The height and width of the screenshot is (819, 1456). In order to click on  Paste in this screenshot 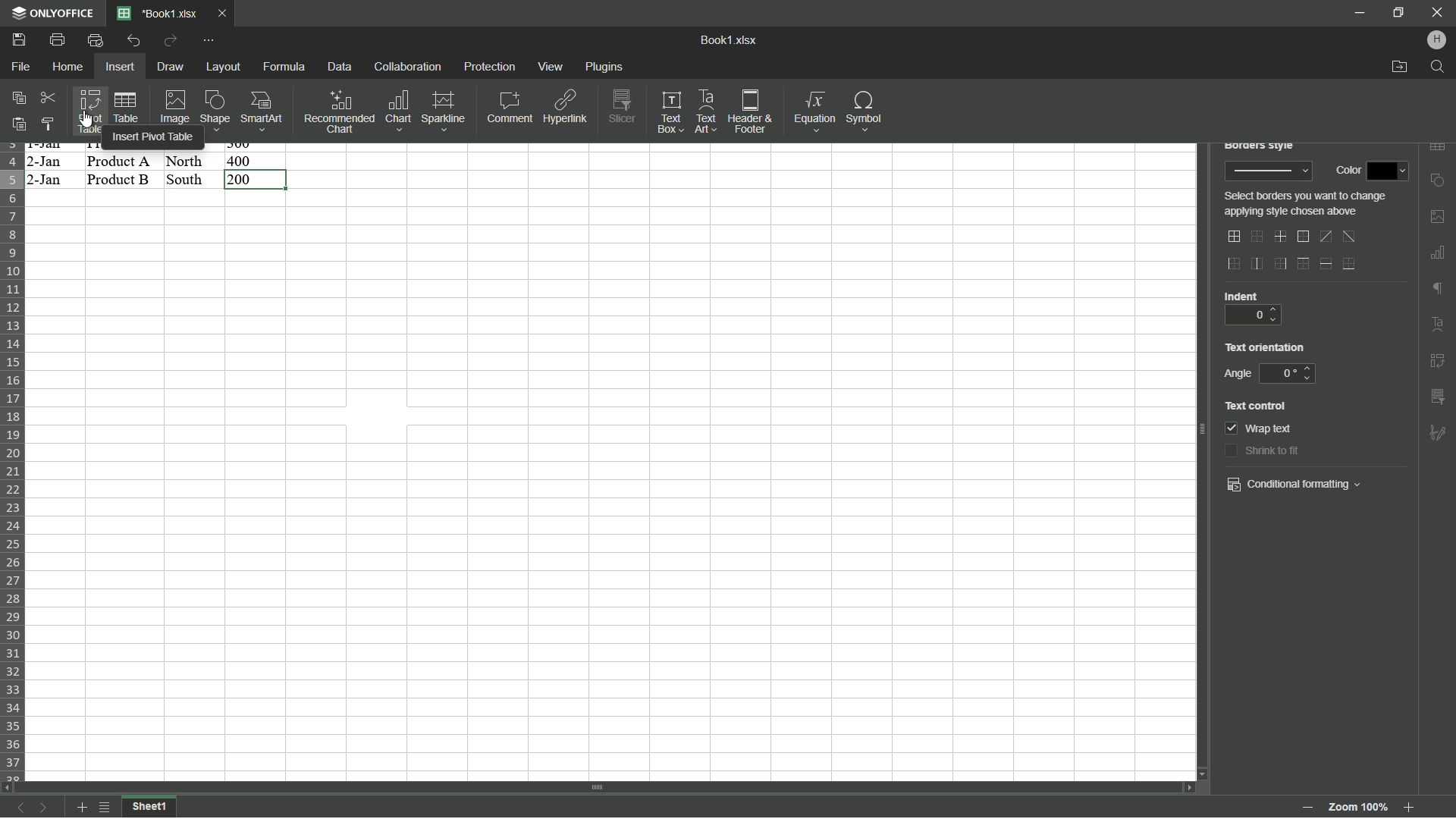, I will do `click(17, 123)`.